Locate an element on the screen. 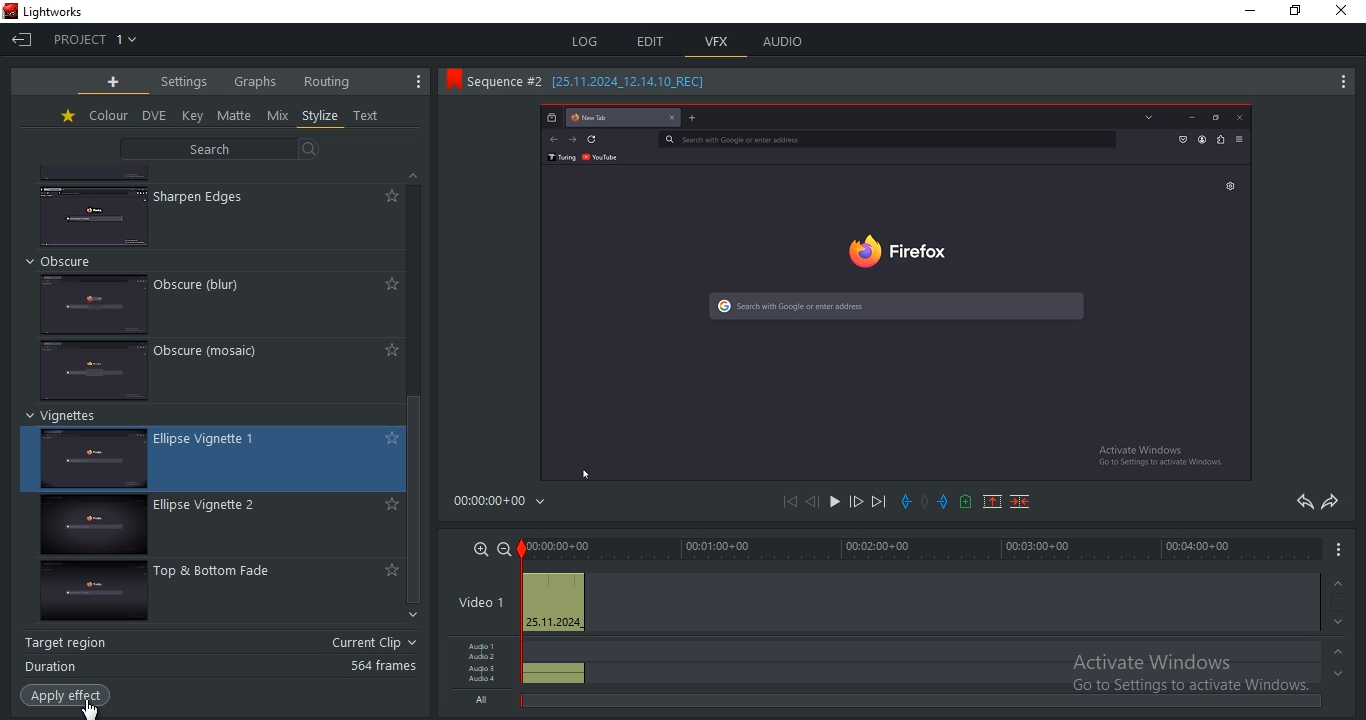  Audio 2 is located at coordinates (485, 658).